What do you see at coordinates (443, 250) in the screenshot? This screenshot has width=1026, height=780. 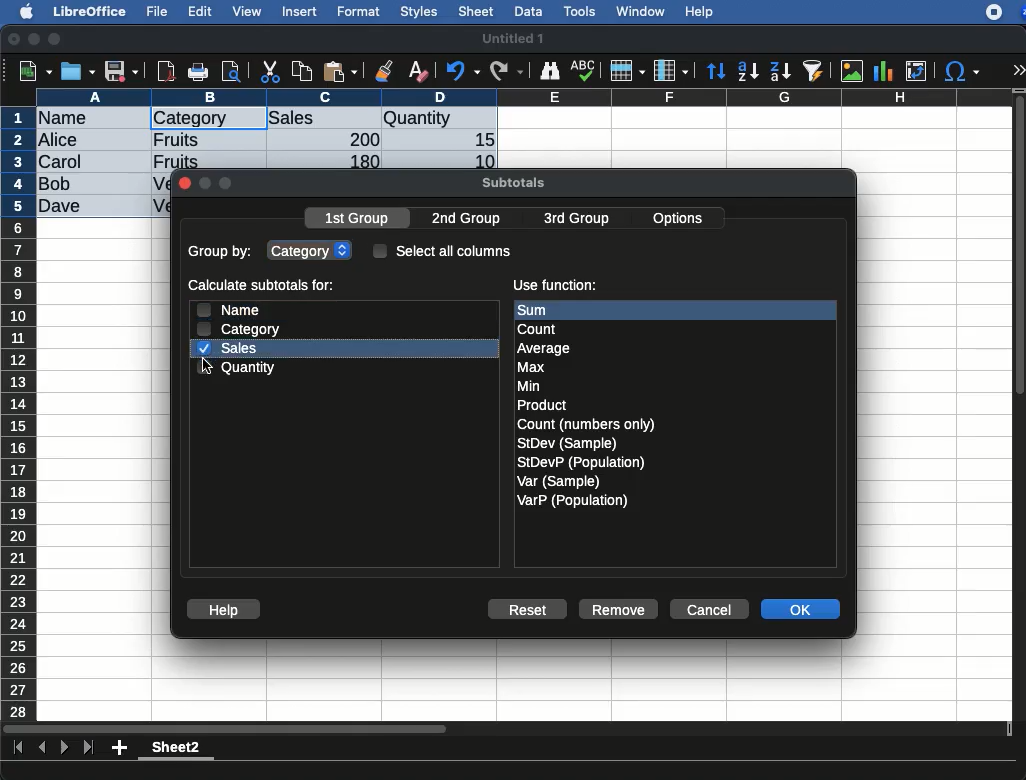 I see `select all columns` at bounding box center [443, 250].